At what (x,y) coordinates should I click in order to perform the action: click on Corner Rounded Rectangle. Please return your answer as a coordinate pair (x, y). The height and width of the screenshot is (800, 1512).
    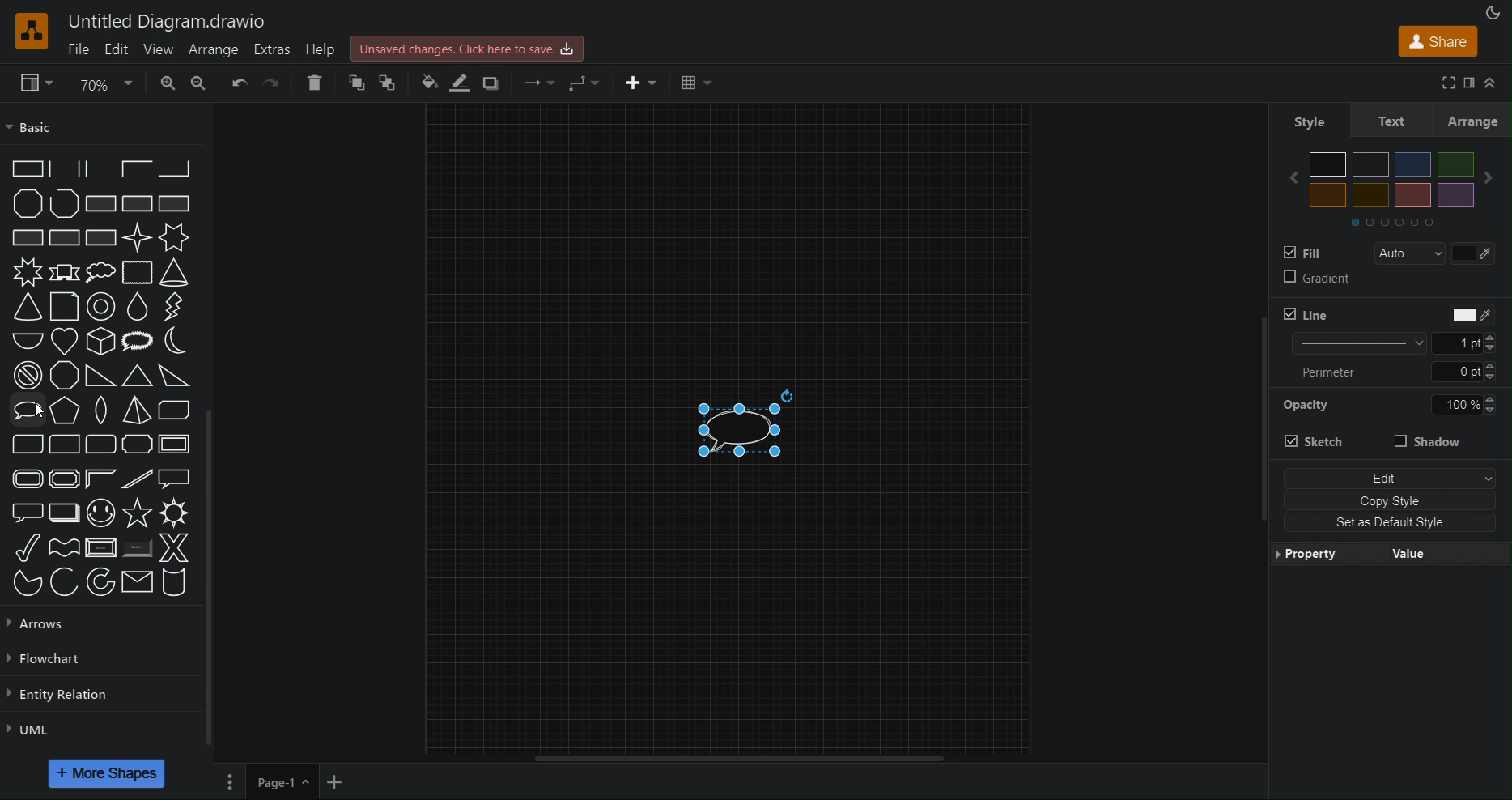
    Looking at the image, I should click on (65, 444).